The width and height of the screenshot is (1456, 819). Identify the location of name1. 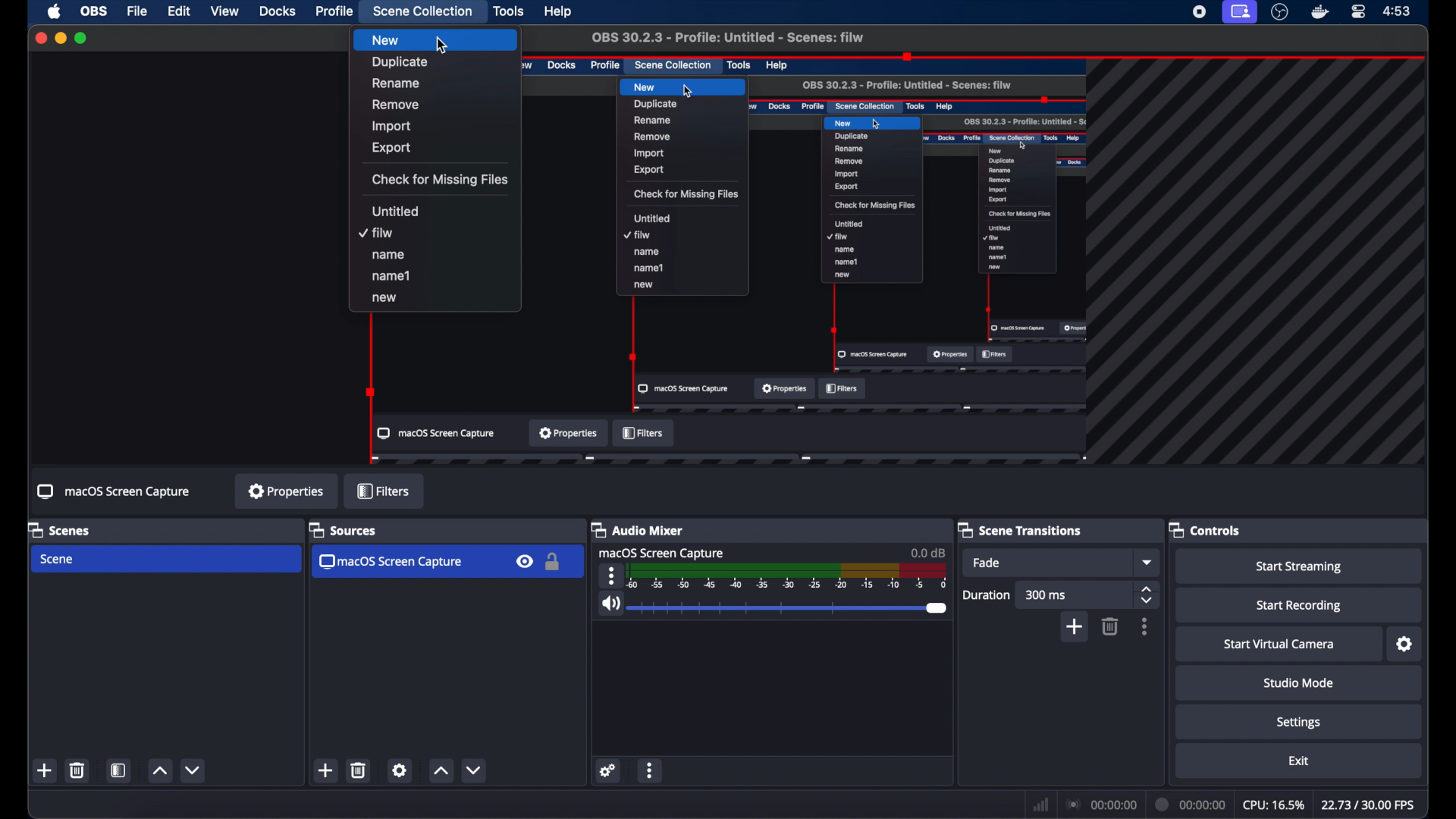
(391, 276).